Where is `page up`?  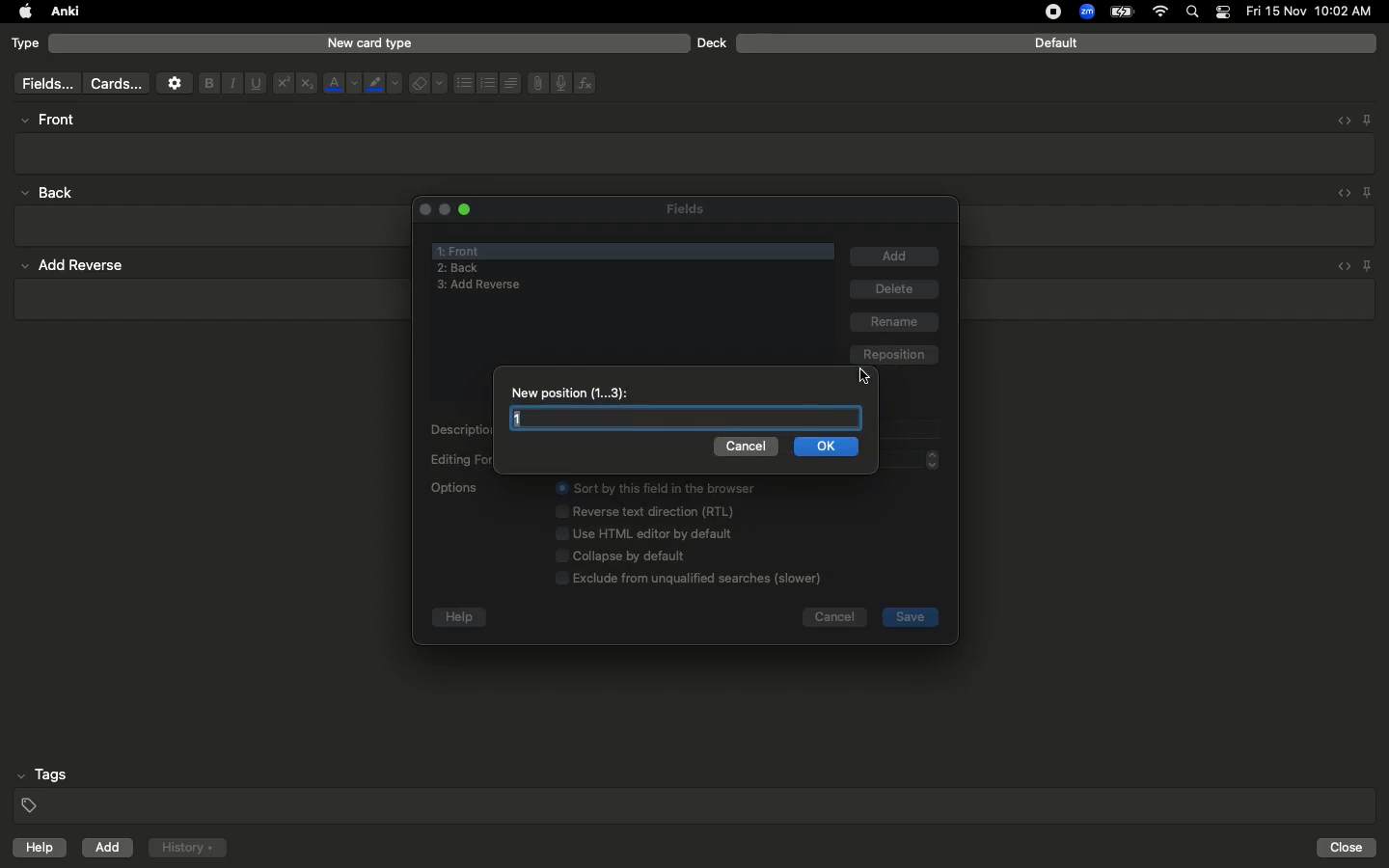 page up is located at coordinates (934, 452).